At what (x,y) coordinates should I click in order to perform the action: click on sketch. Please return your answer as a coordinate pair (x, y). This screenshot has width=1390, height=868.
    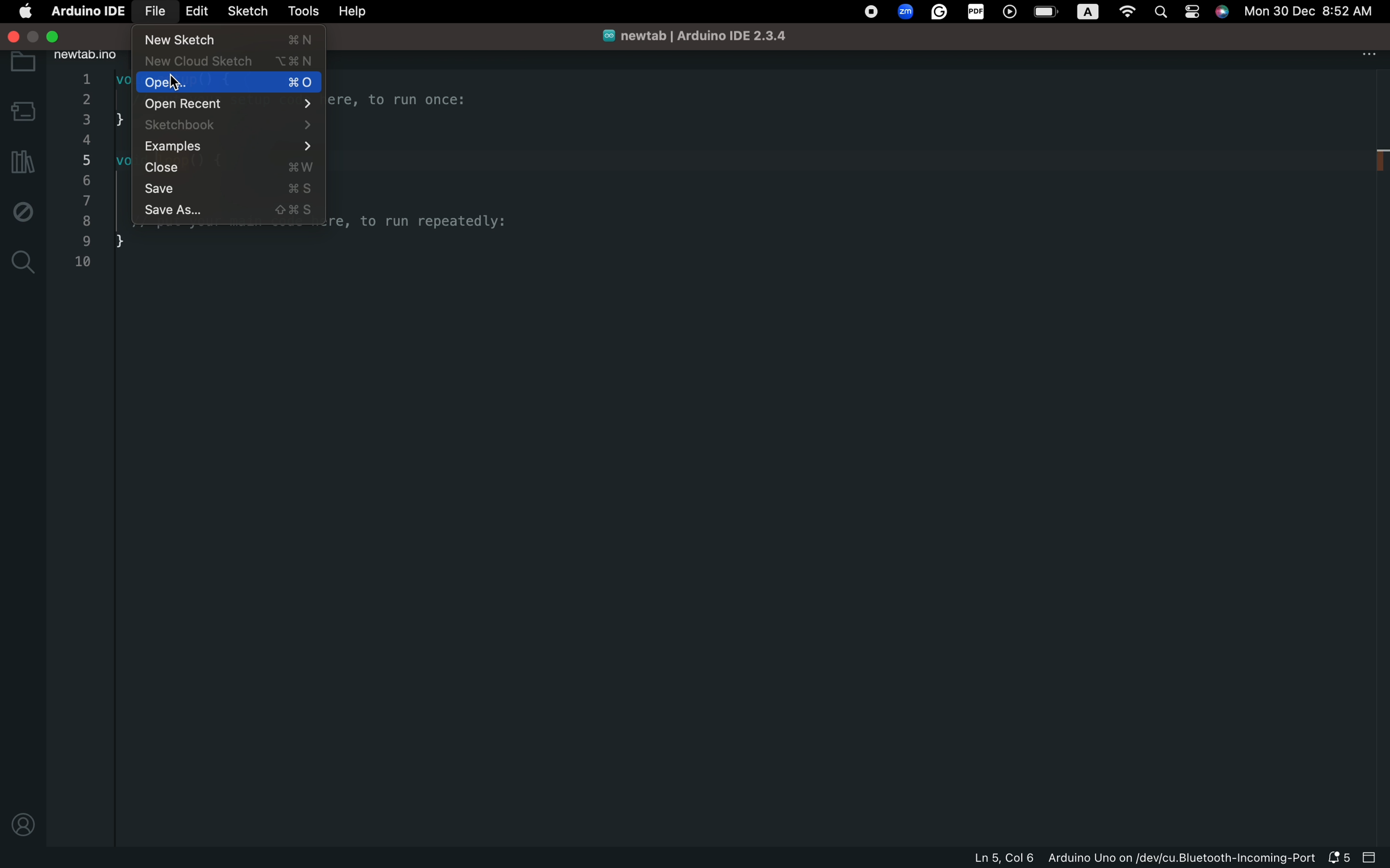
    Looking at the image, I should click on (244, 11).